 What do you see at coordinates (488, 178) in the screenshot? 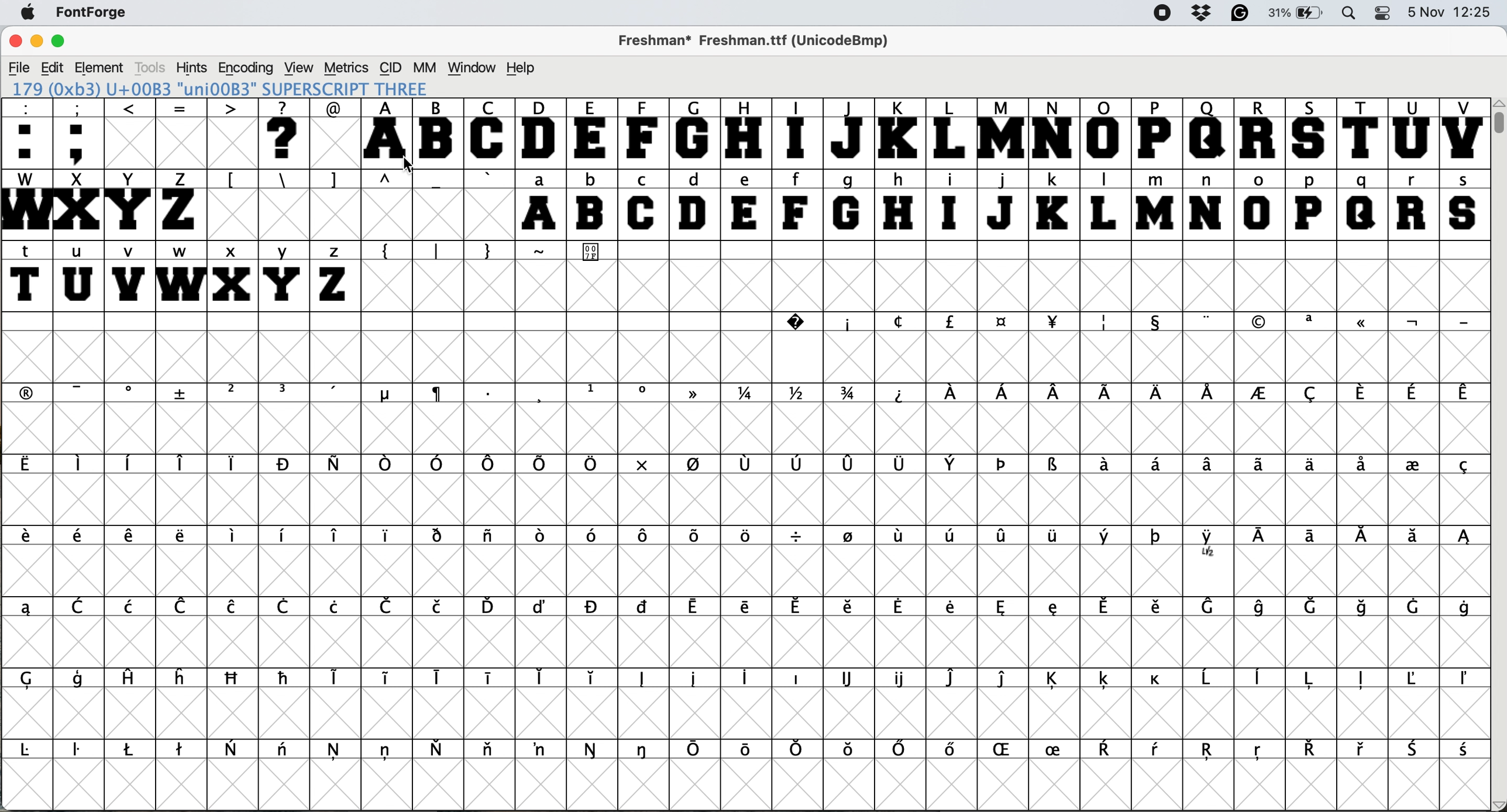
I see ``` at bounding box center [488, 178].